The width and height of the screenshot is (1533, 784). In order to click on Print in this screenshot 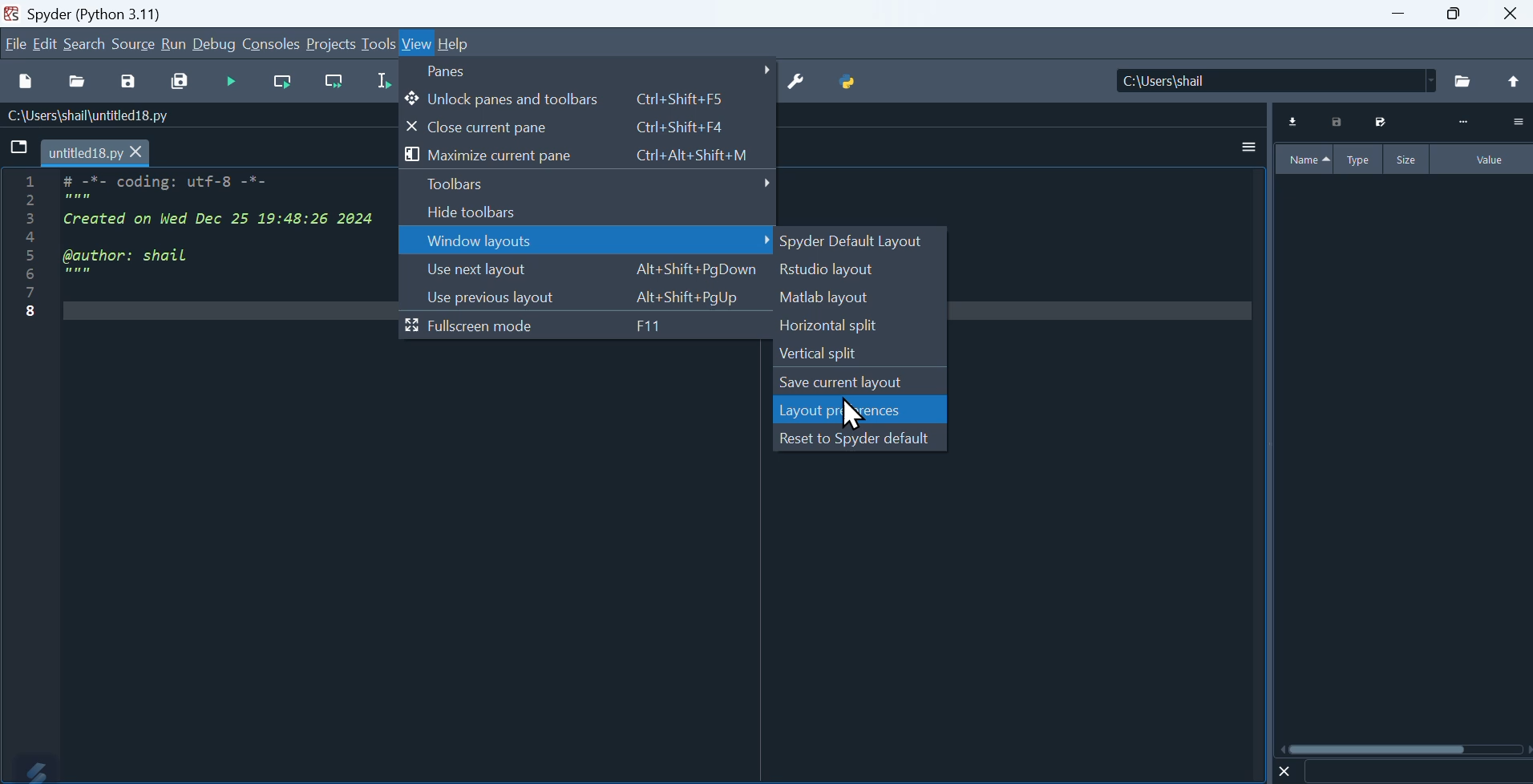, I will do `click(1338, 122)`.